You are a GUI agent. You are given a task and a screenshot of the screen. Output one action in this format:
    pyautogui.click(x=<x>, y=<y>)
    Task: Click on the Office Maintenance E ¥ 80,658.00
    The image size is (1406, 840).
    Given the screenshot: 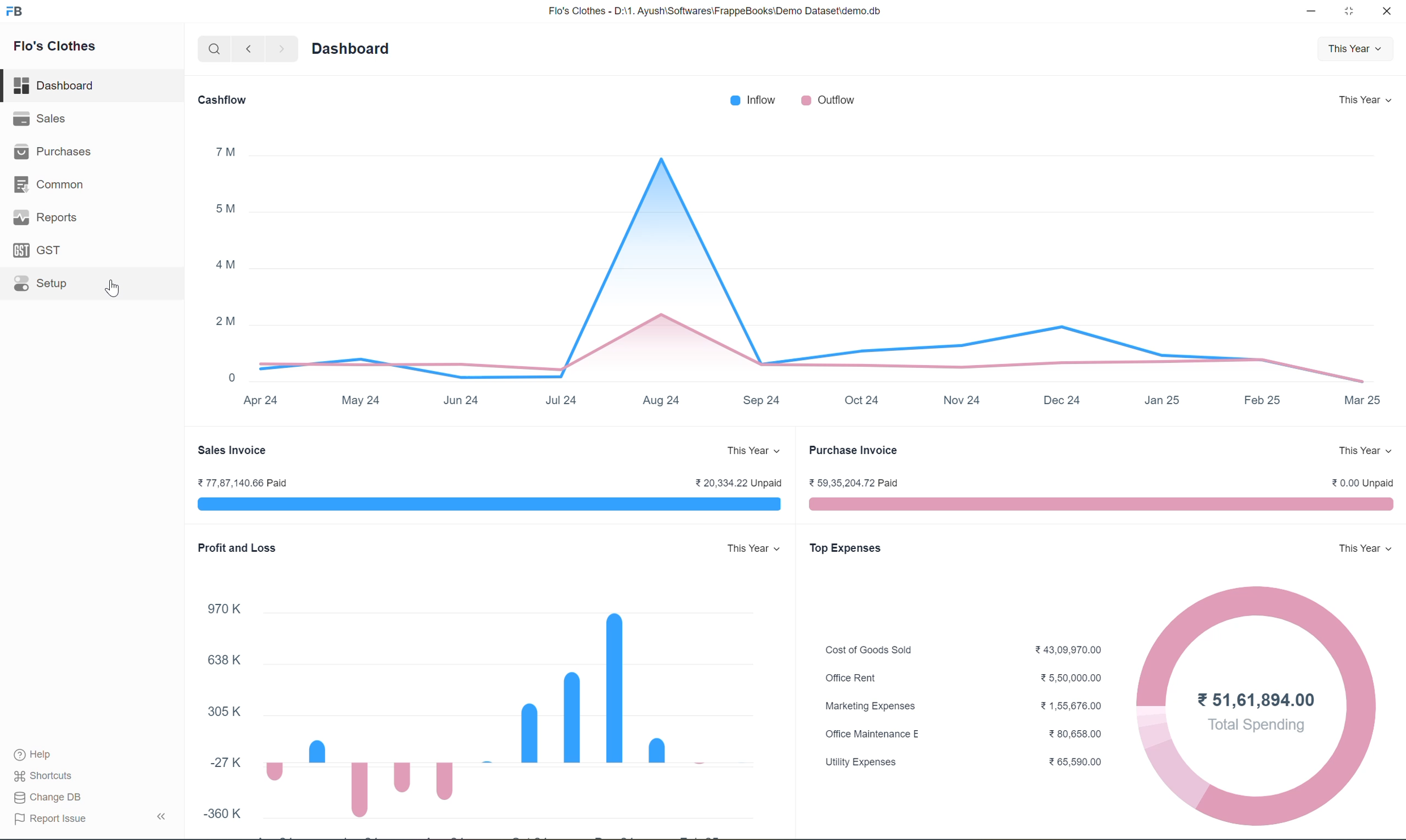 What is the action you would take?
    pyautogui.click(x=963, y=734)
    